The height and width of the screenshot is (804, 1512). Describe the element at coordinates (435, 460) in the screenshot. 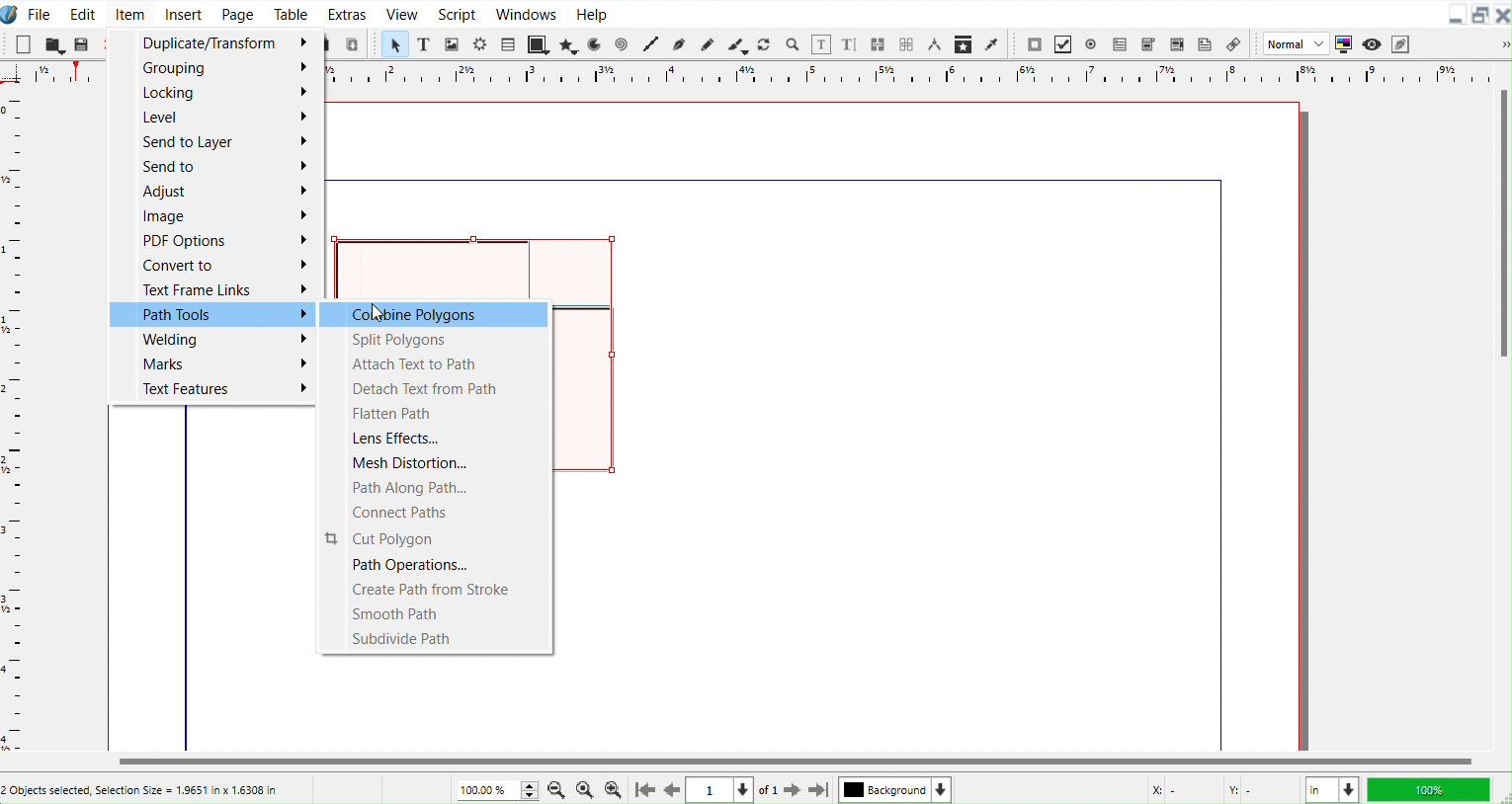

I see `Mesh Distortion` at that location.